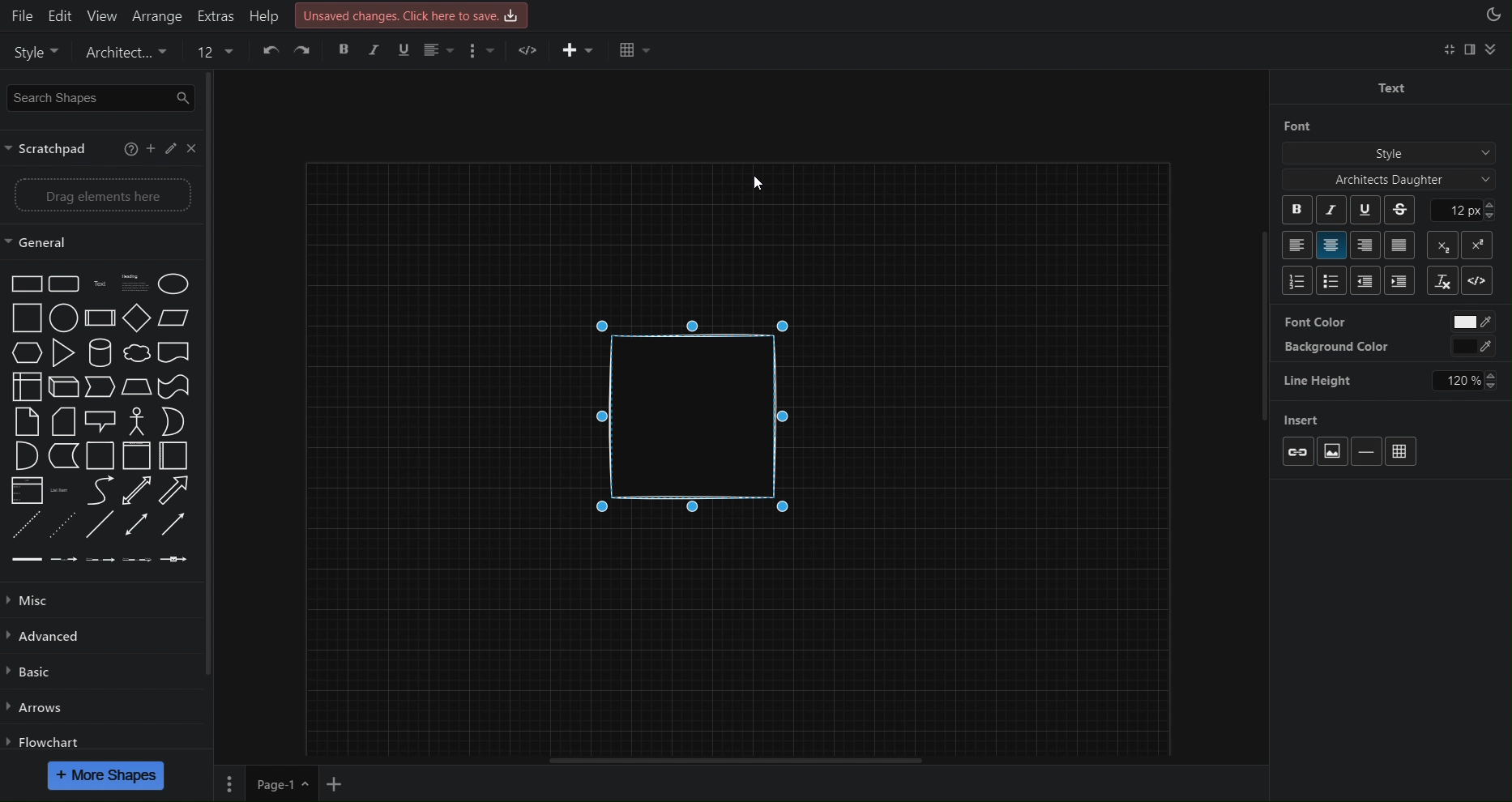  Describe the element at coordinates (487, 52) in the screenshot. I see `Shadow` at that location.